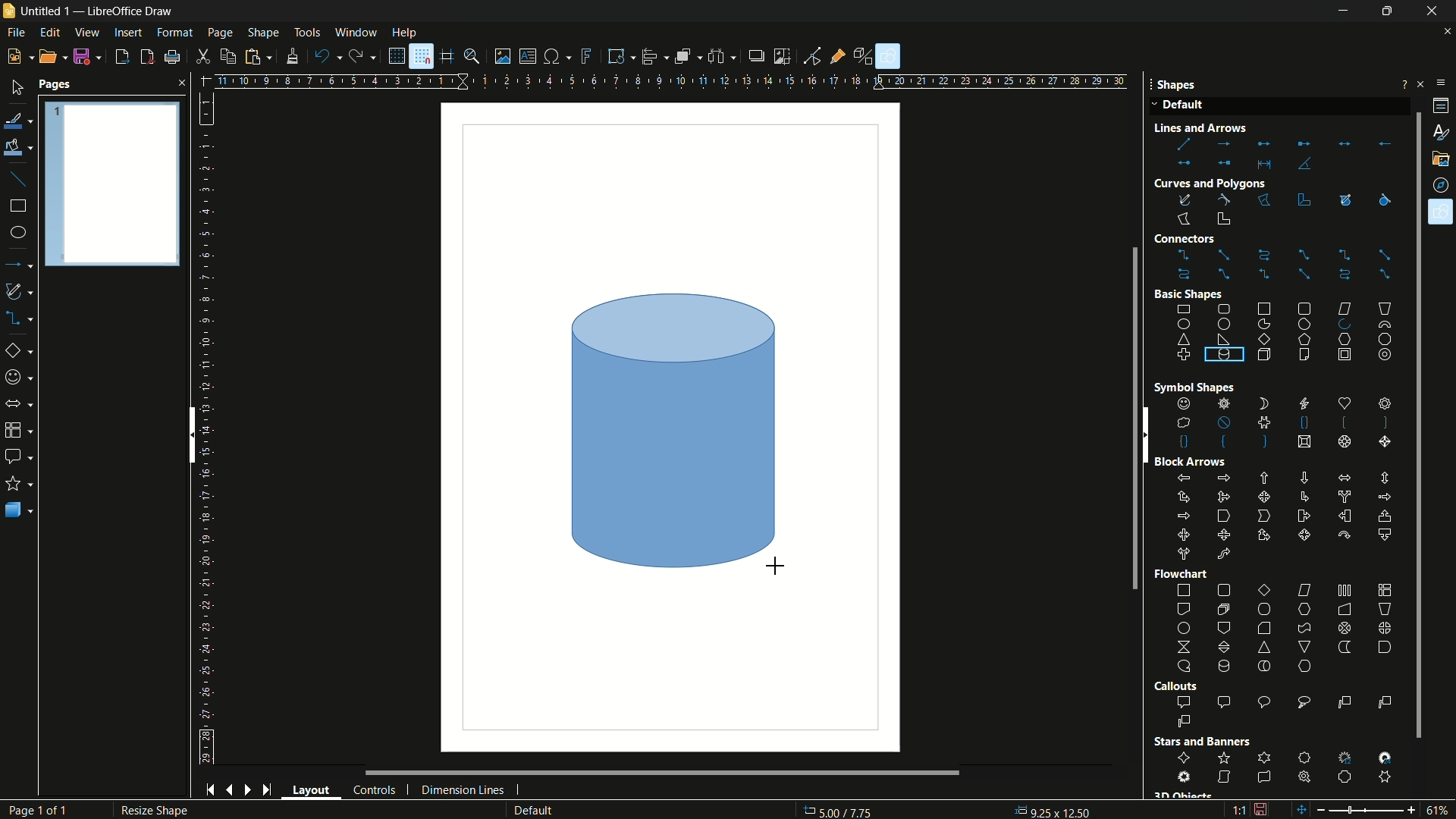 This screenshot has height=819, width=1456. I want to click on block arrows, so click(1284, 518).